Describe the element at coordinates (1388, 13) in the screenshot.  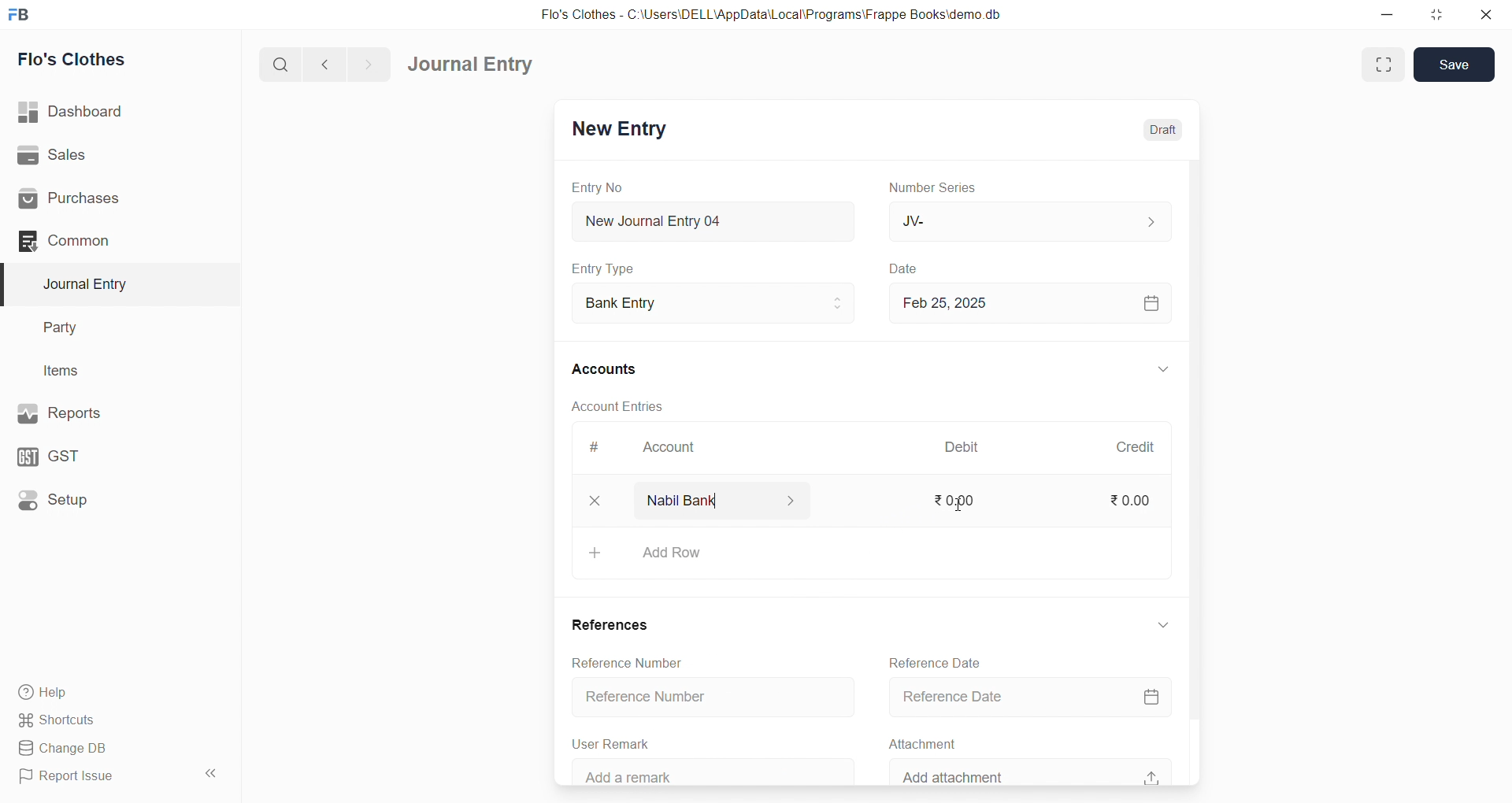
I see `minimize` at that location.